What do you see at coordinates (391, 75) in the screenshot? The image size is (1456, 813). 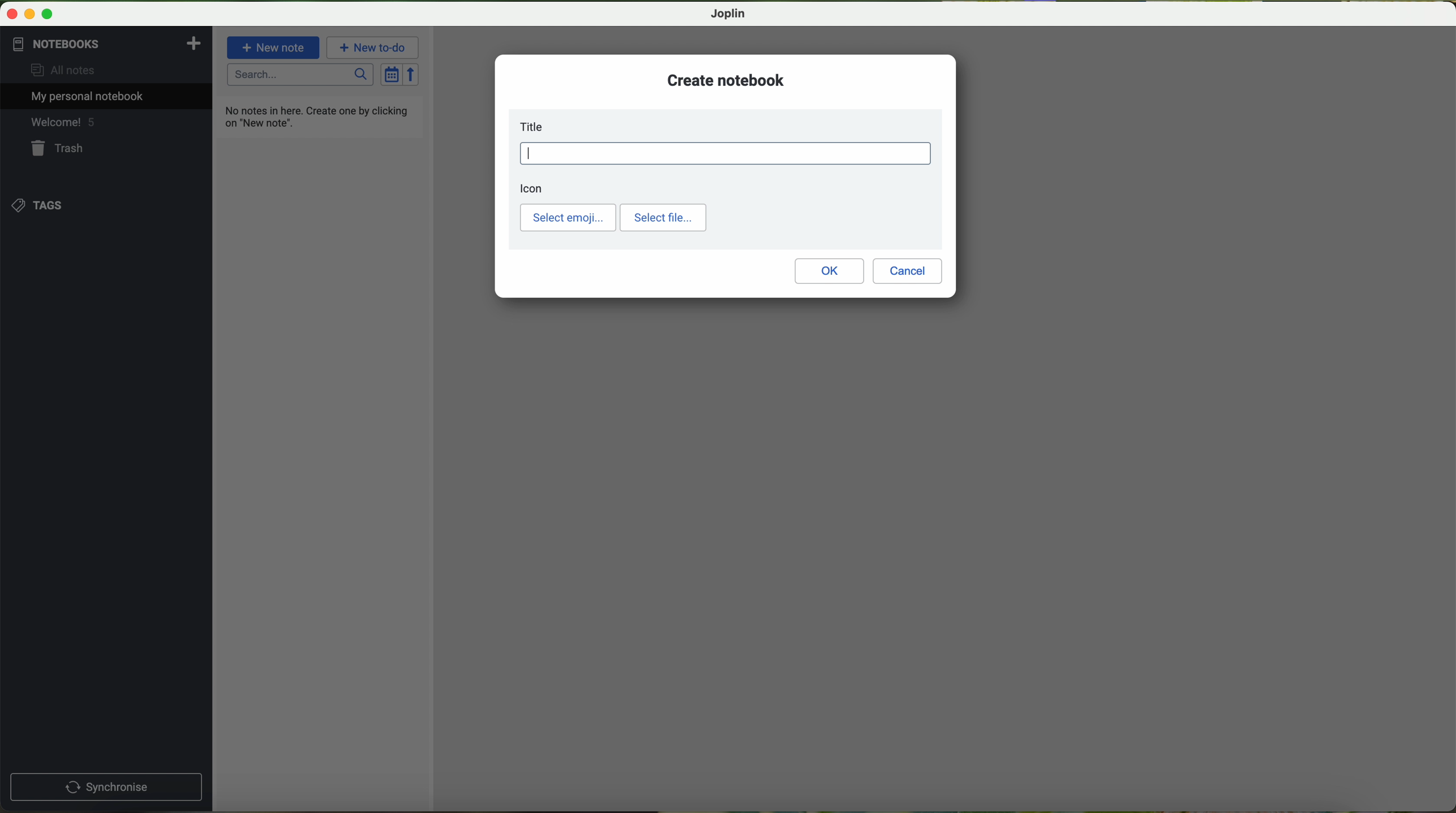 I see `` at bounding box center [391, 75].